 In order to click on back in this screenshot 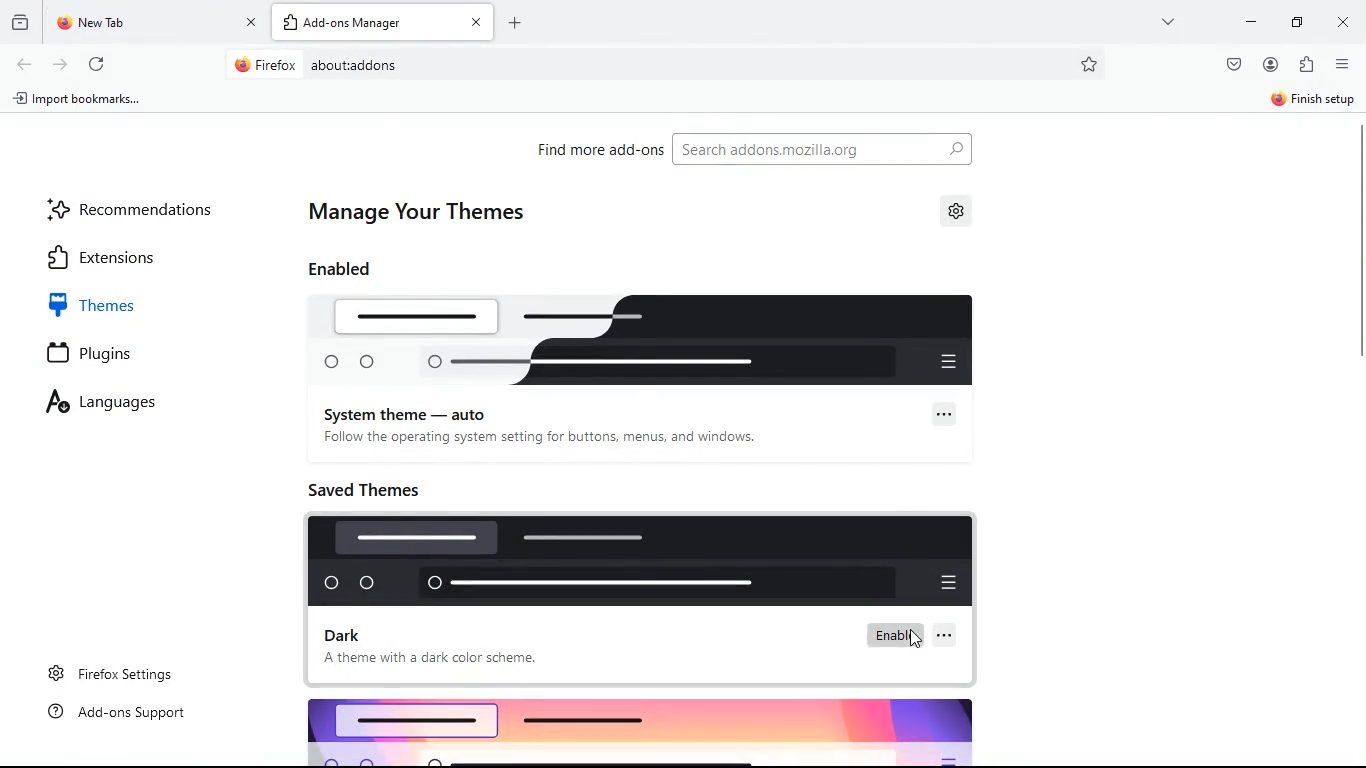, I will do `click(25, 64)`.